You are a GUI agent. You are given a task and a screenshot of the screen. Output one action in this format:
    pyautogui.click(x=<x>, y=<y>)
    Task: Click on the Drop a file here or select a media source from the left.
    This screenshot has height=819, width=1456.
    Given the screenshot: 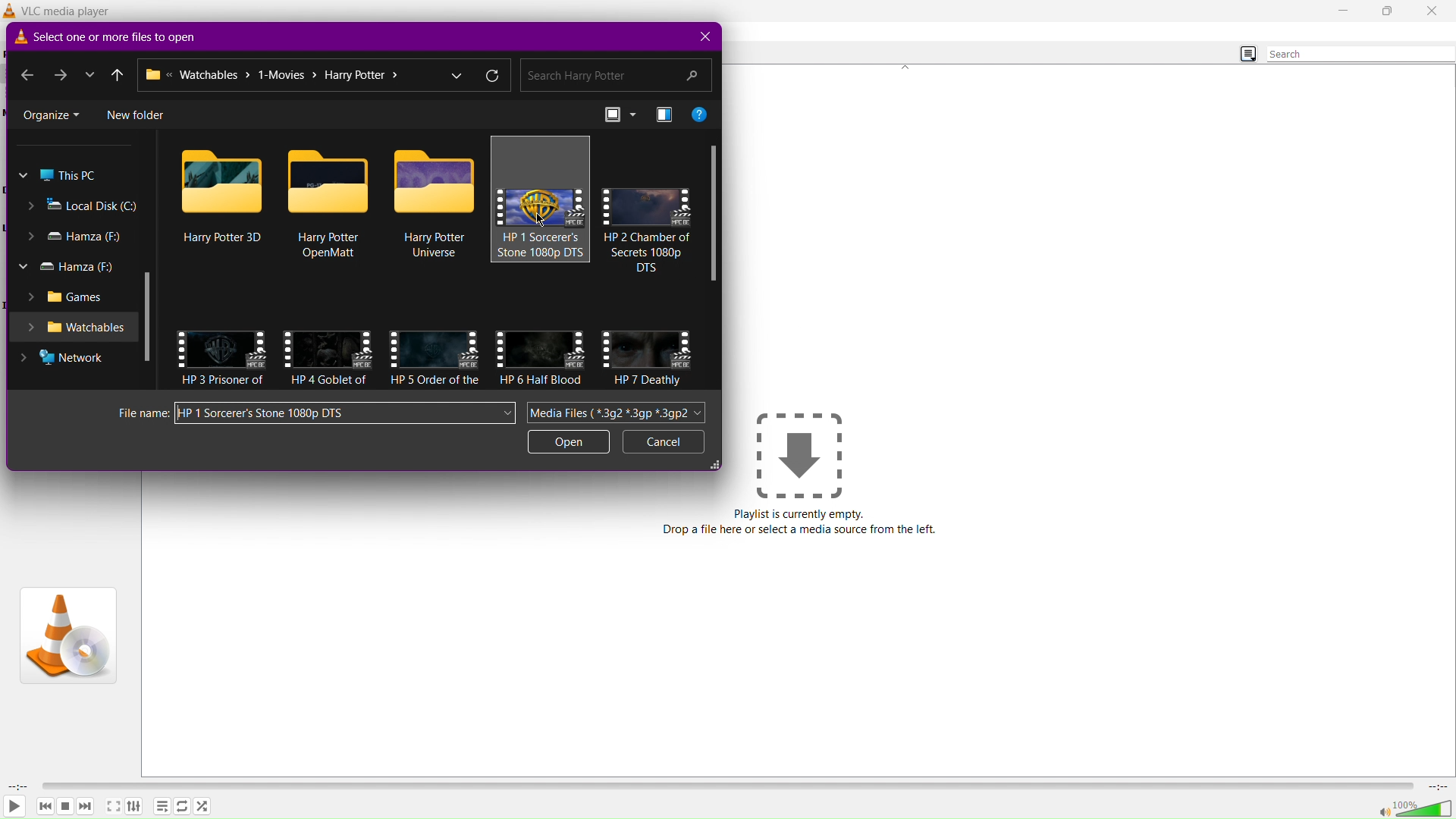 What is the action you would take?
    pyautogui.click(x=801, y=531)
    